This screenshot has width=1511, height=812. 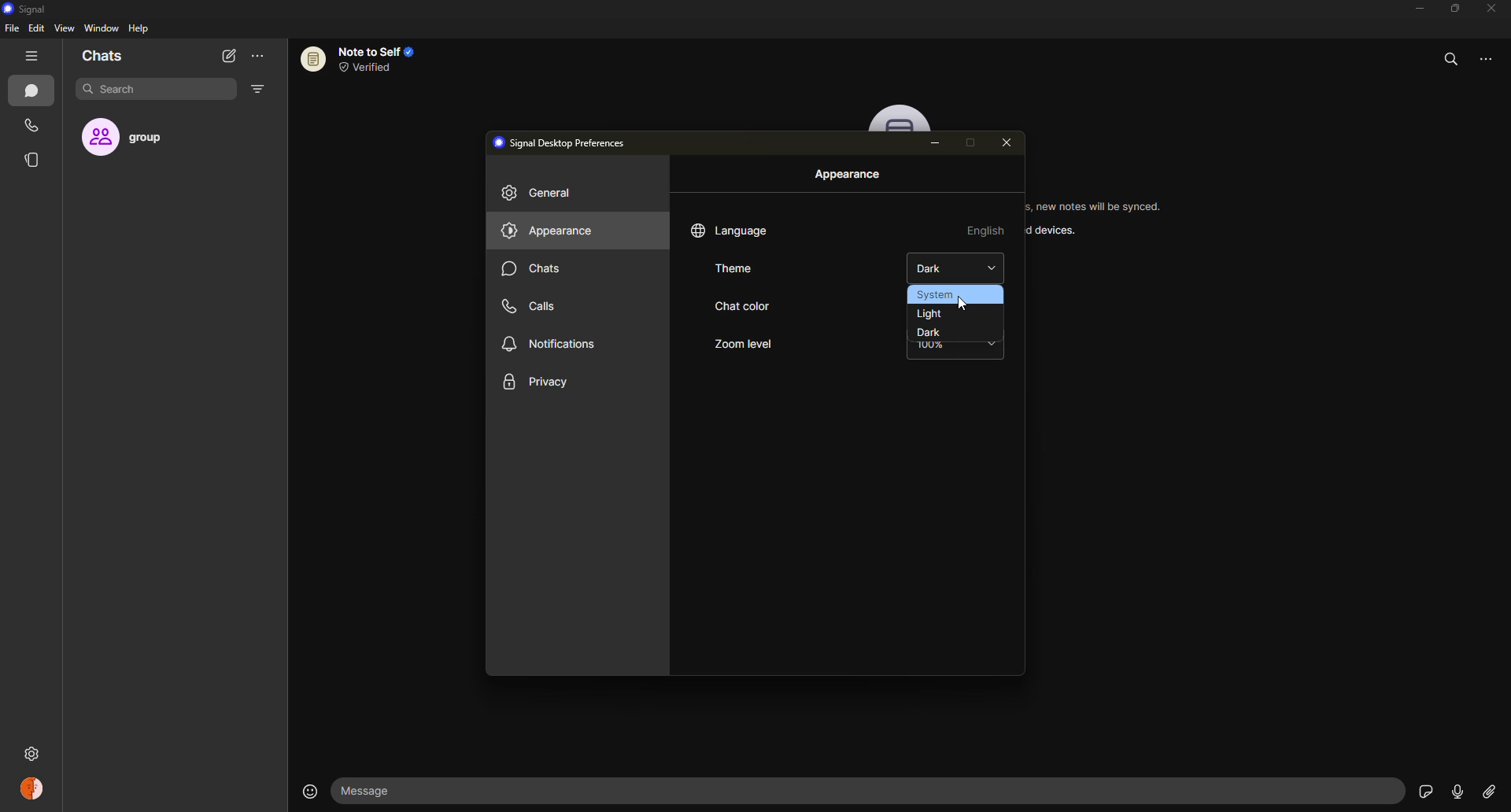 What do you see at coordinates (31, 754) in the screenshot?
I see `settings` at bounding box center [31, 754].